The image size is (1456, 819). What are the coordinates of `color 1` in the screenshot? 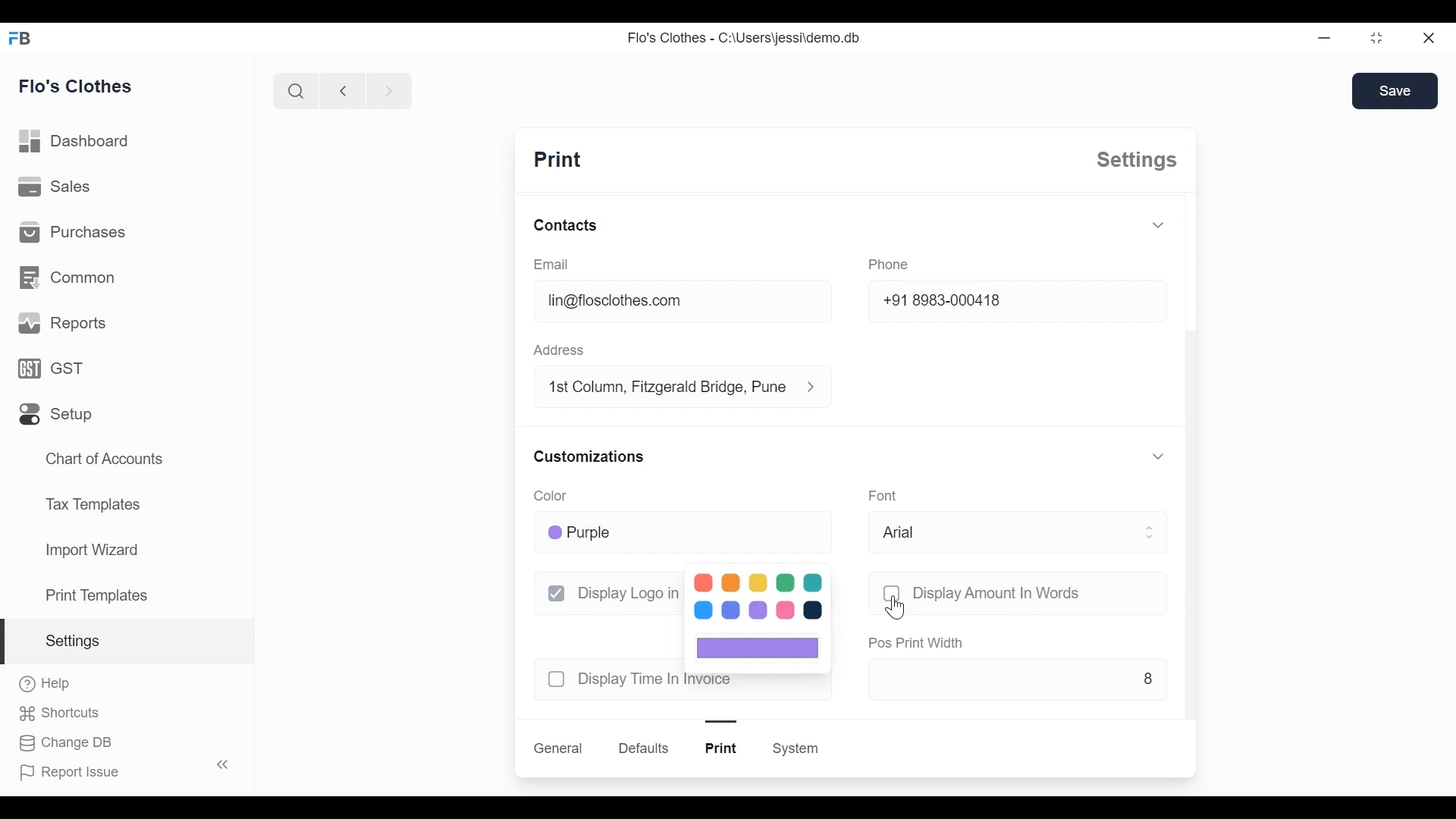 It's located at (704, 582).